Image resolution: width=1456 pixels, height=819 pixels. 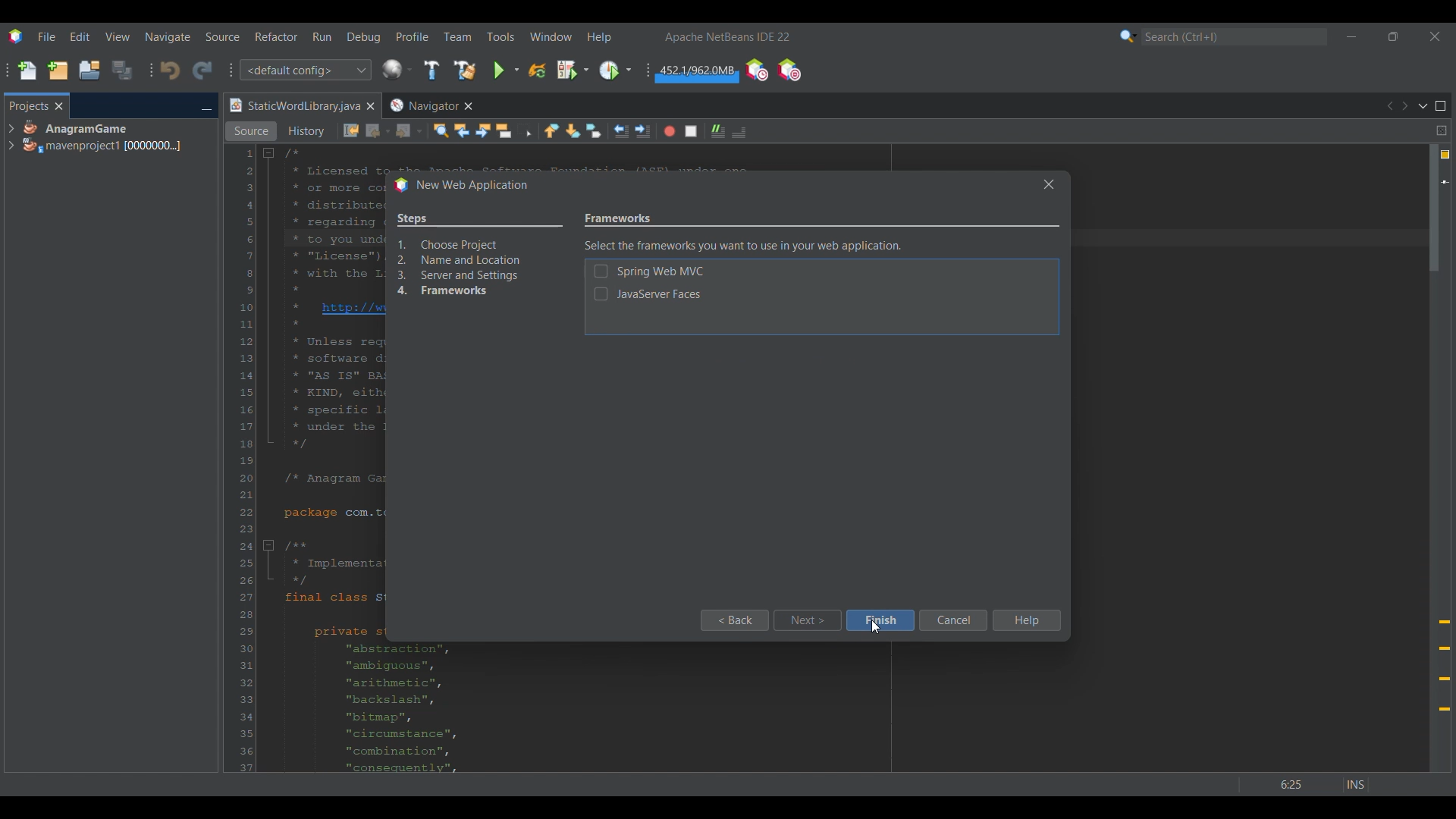 I want to click on Finish highlighted by cursor, so click(x=880, y=620).